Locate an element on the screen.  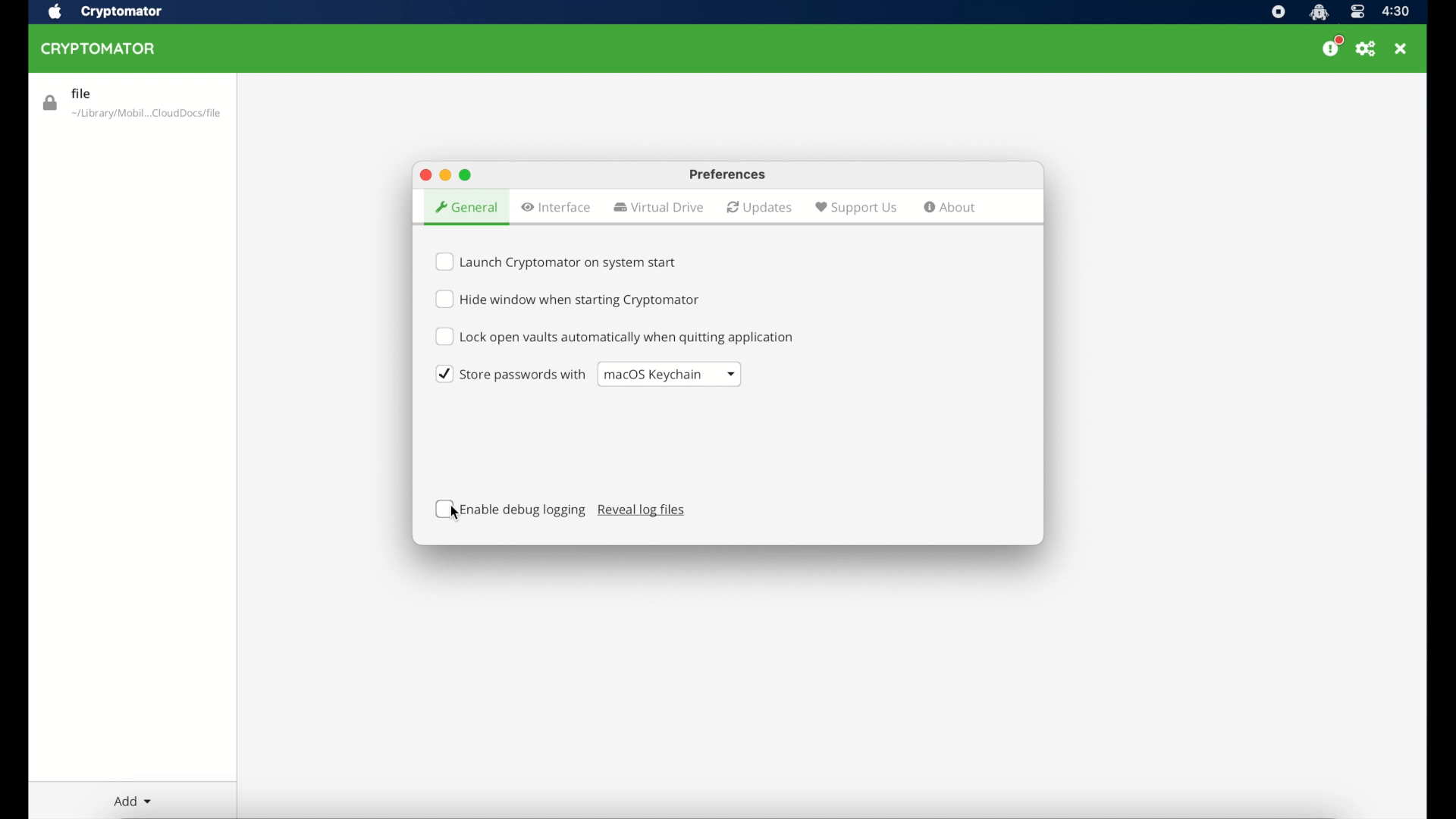
virtual drive is located at coordinates (658, 207).